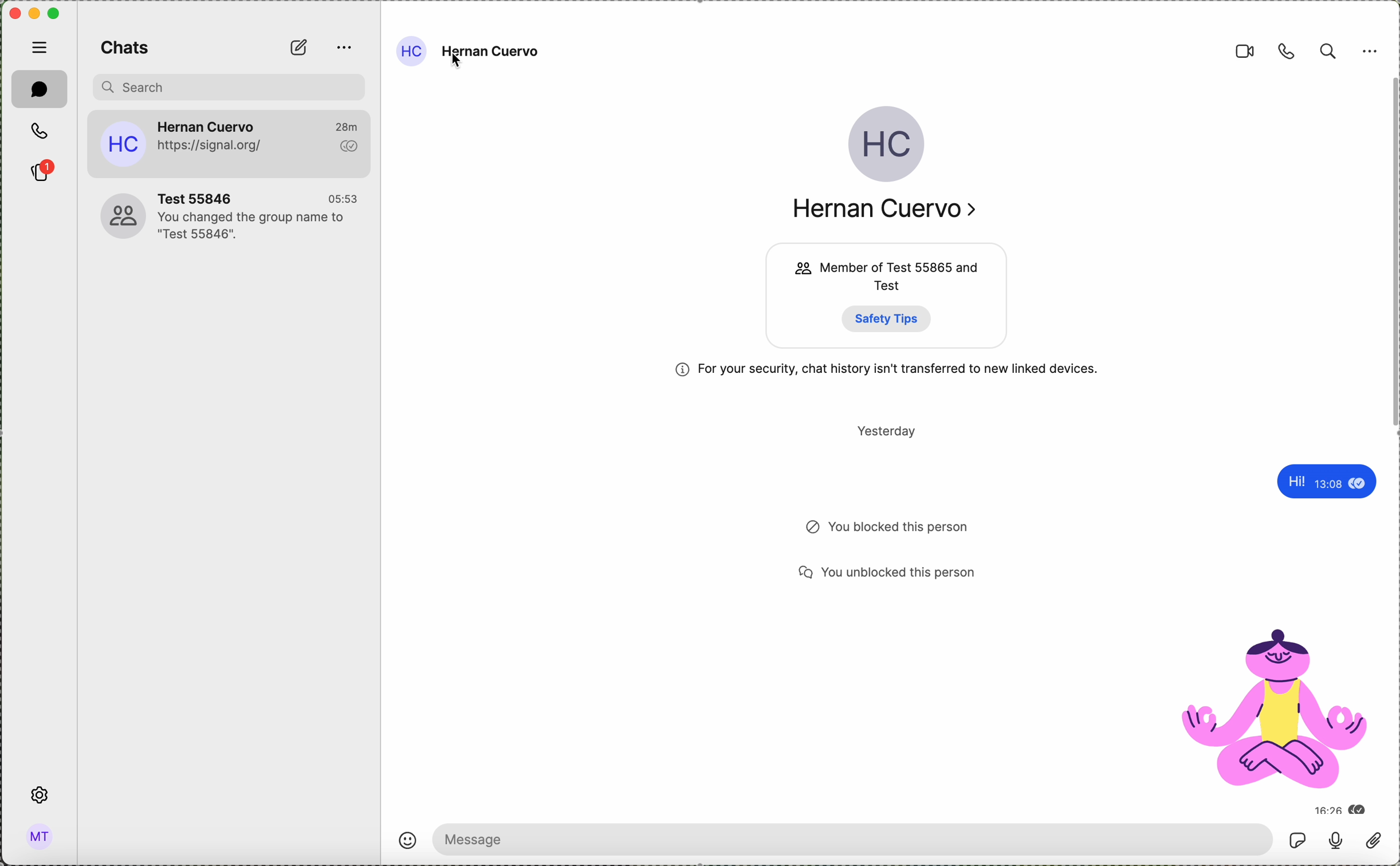  I want to click on 28m, so click(351, 124).